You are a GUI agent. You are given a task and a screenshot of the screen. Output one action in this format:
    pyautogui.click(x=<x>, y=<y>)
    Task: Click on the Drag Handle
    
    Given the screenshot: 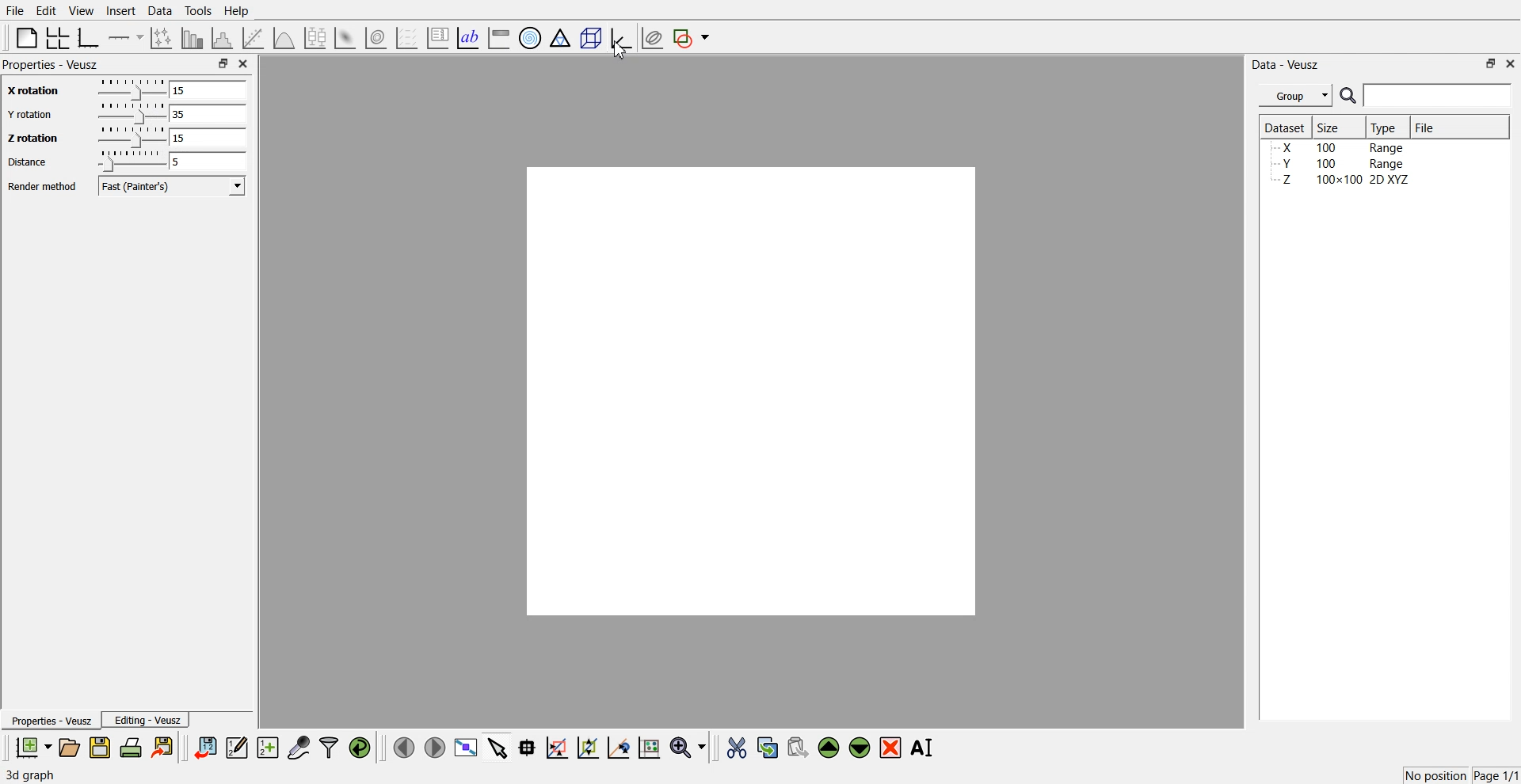 What is the action you would take?
    pyautogui.click(x=131, y=138)
    